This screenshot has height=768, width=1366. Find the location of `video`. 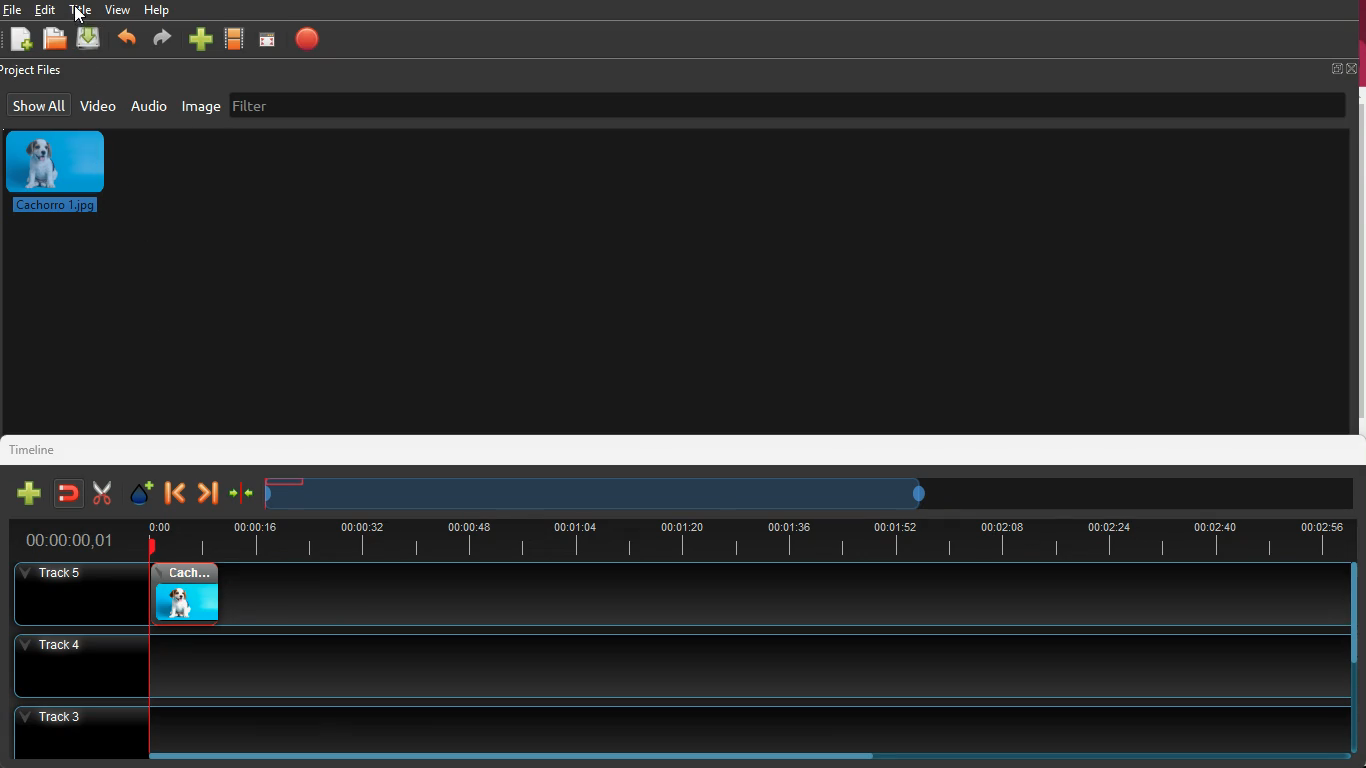

video is located at coordinates (236, 40).